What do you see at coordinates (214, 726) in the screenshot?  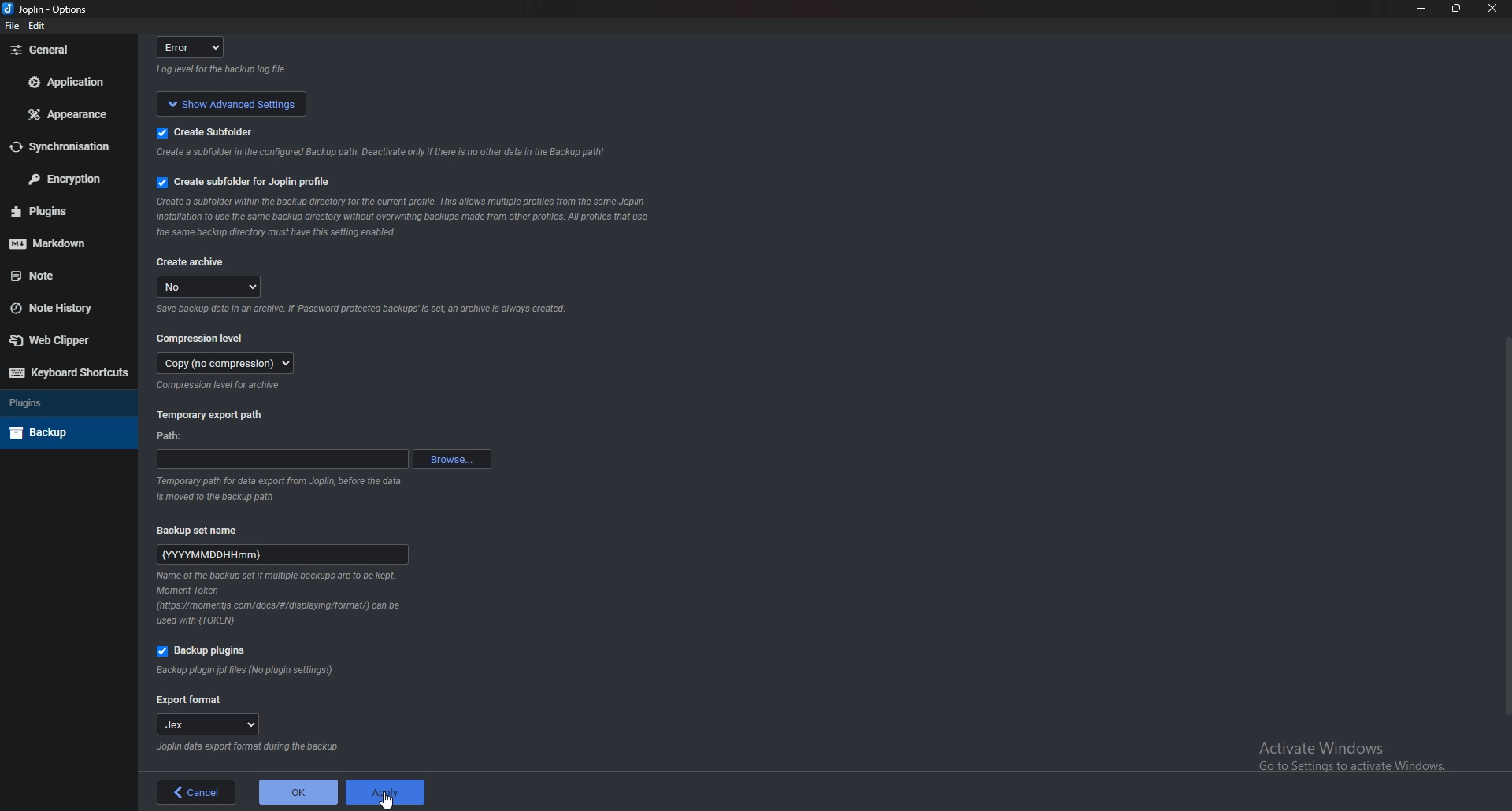 I see `jex` at bounding box center [214, 726].